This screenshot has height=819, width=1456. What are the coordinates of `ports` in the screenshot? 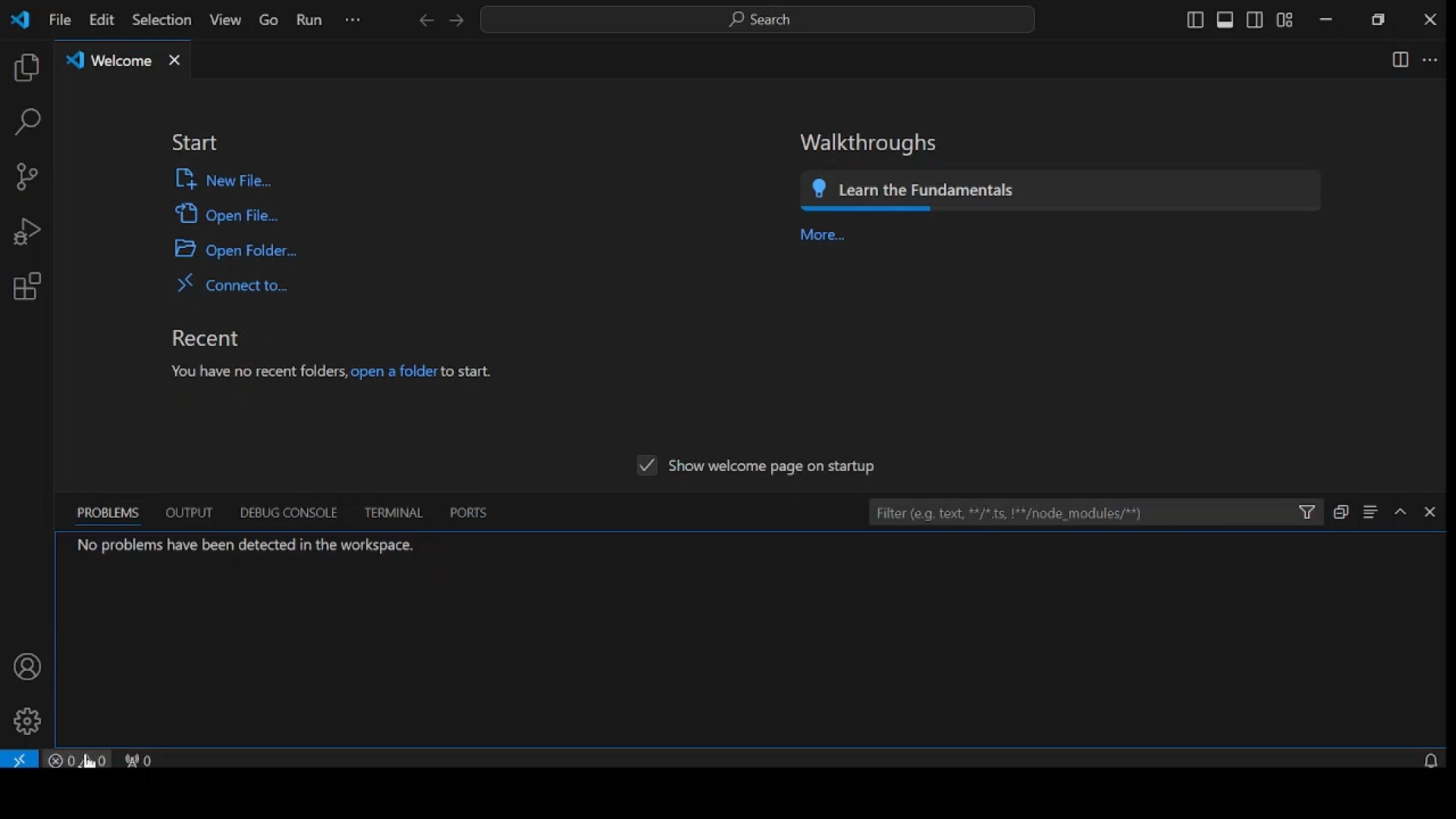 It's located at (469, 512).